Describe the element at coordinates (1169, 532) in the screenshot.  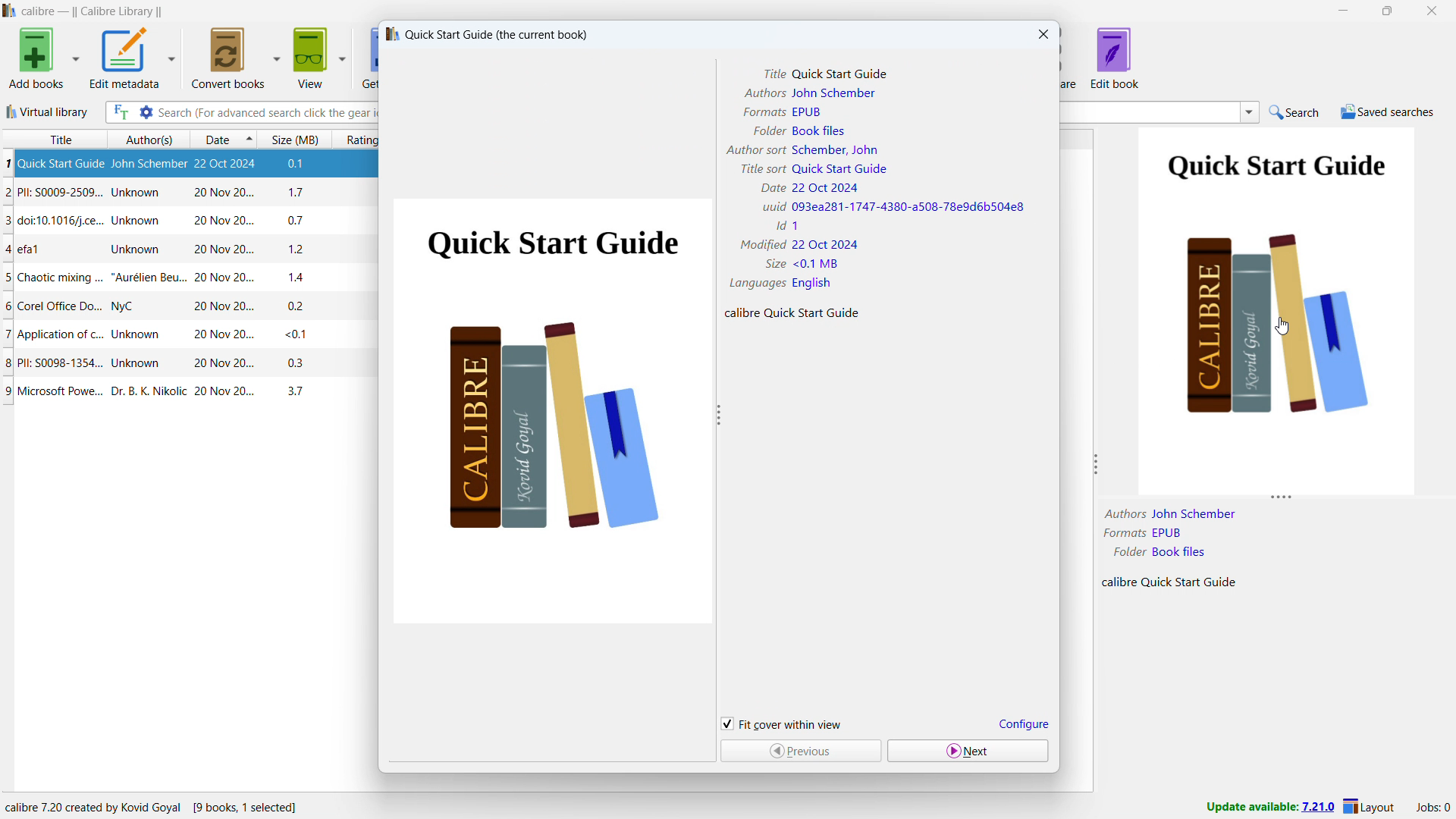
I see `EPUB` at that location.